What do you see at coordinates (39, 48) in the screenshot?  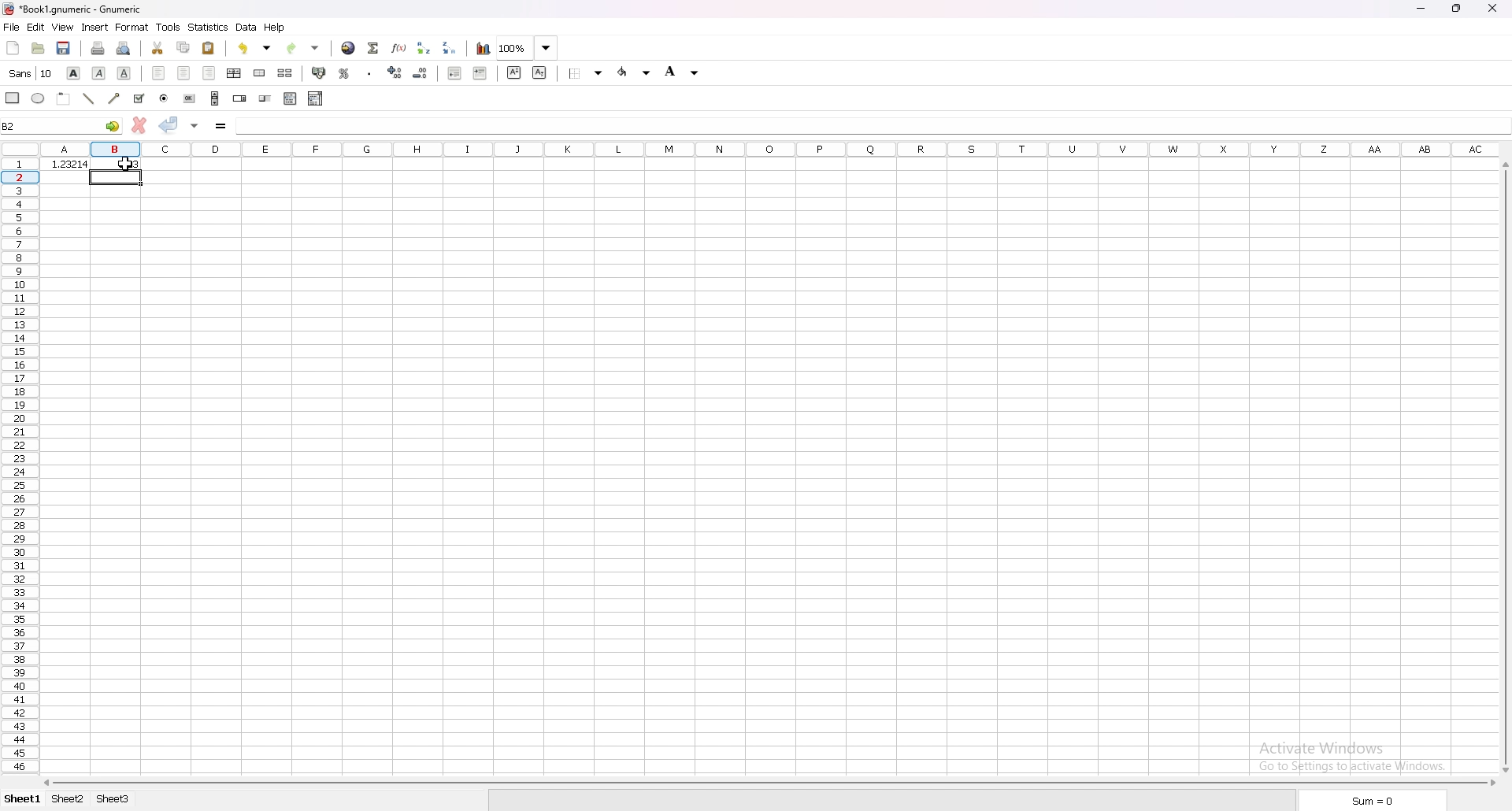 I see `open` at bounding box center [39, 48].